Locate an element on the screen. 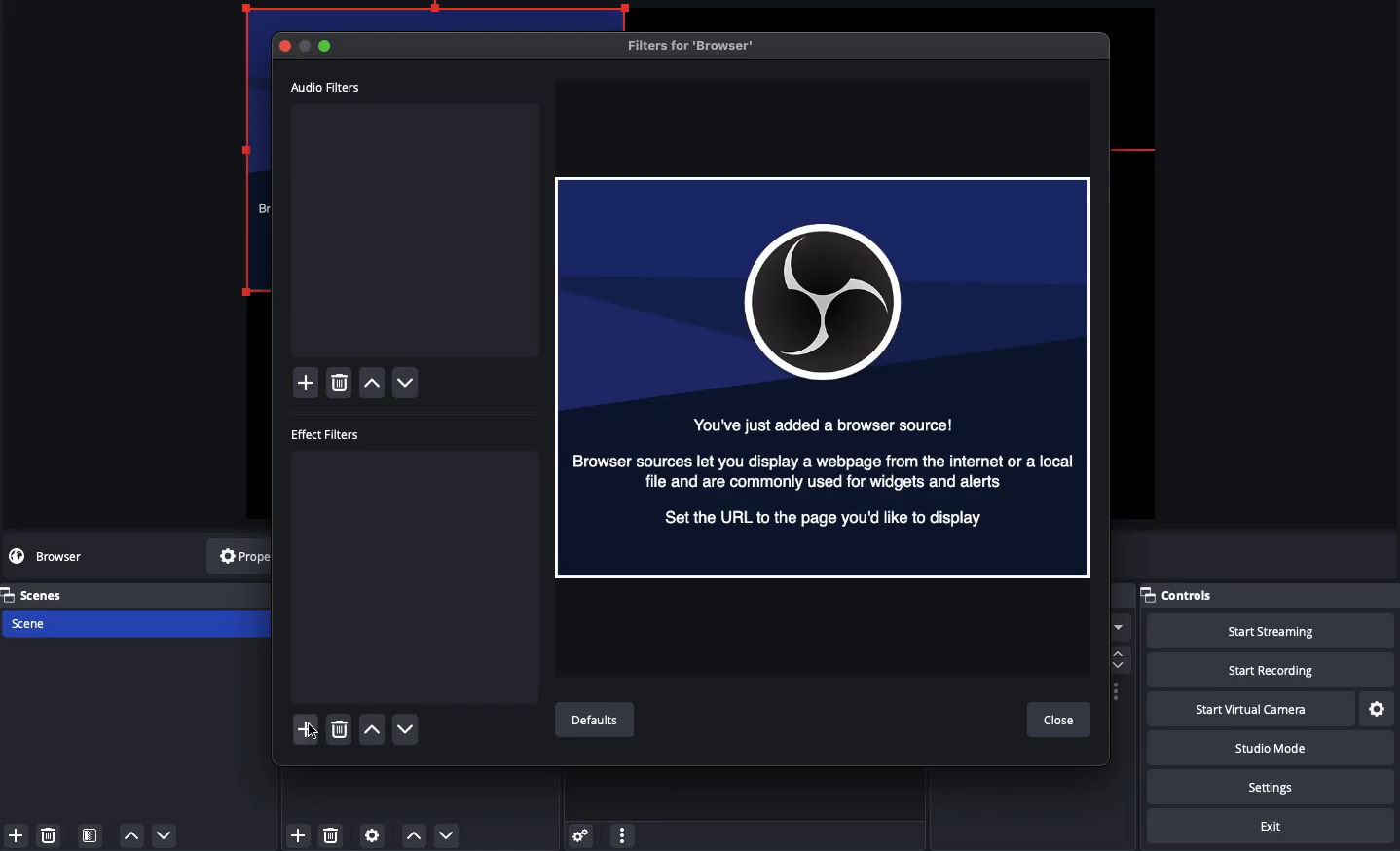  down is located at coordinates (410, 385).